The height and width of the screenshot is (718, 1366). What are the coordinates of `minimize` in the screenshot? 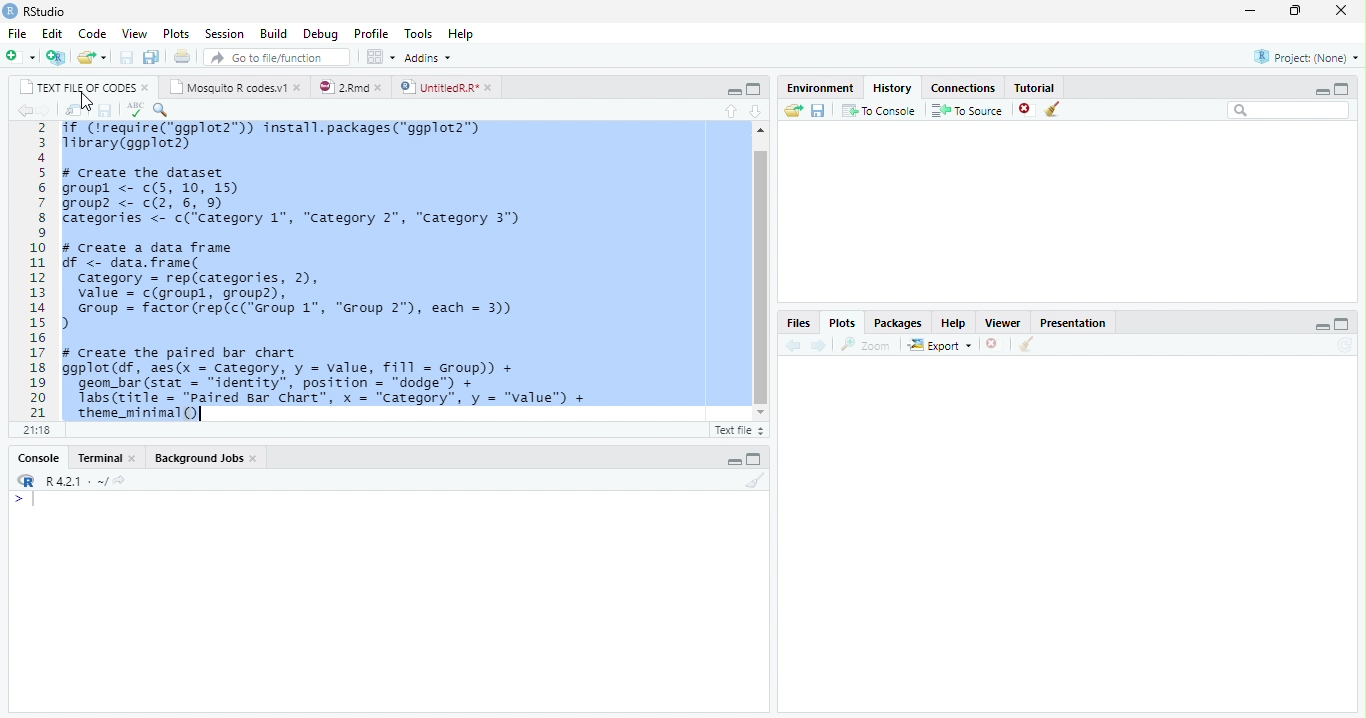 It's located at (1250, 10).